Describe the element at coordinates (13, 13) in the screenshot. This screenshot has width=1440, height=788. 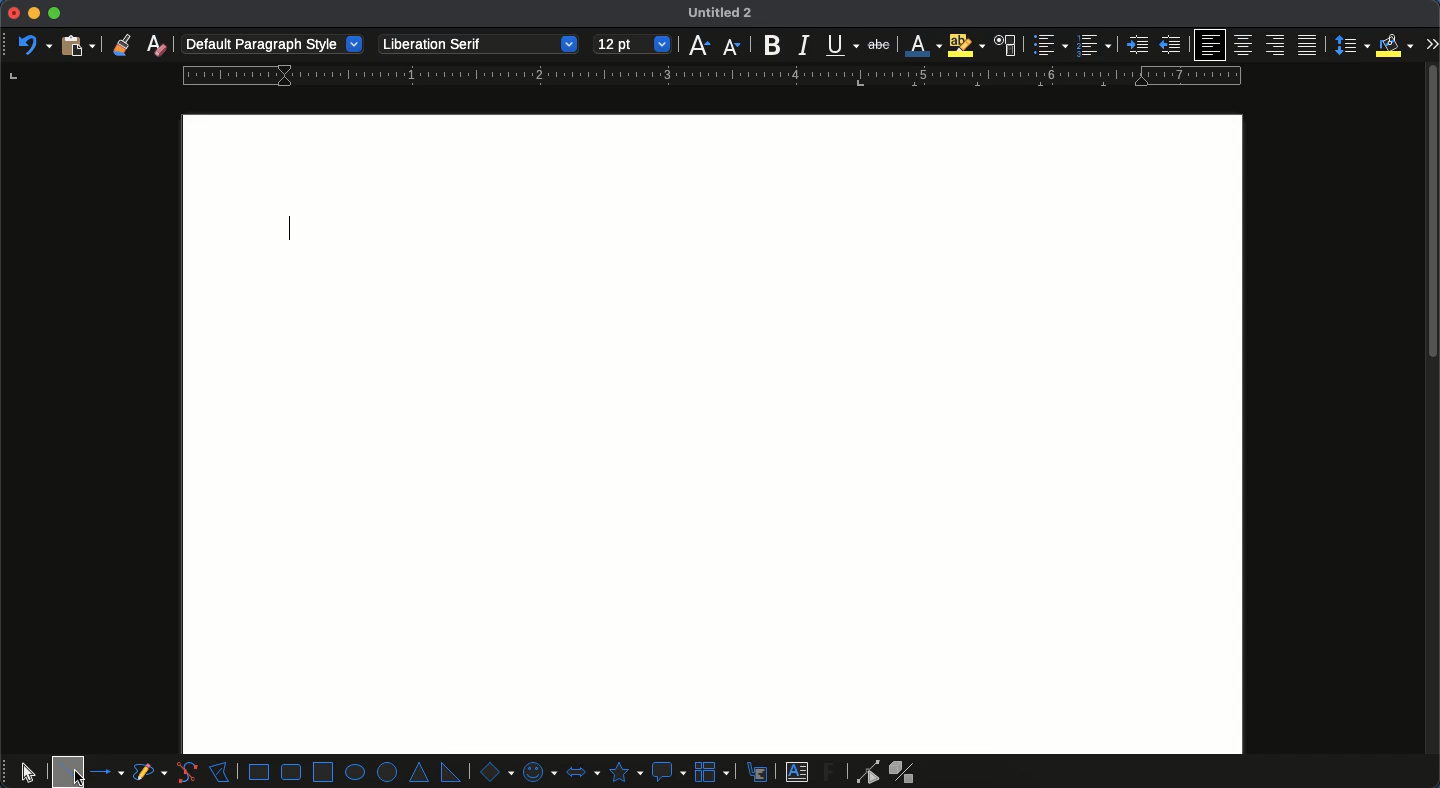
I see `close` at that location.